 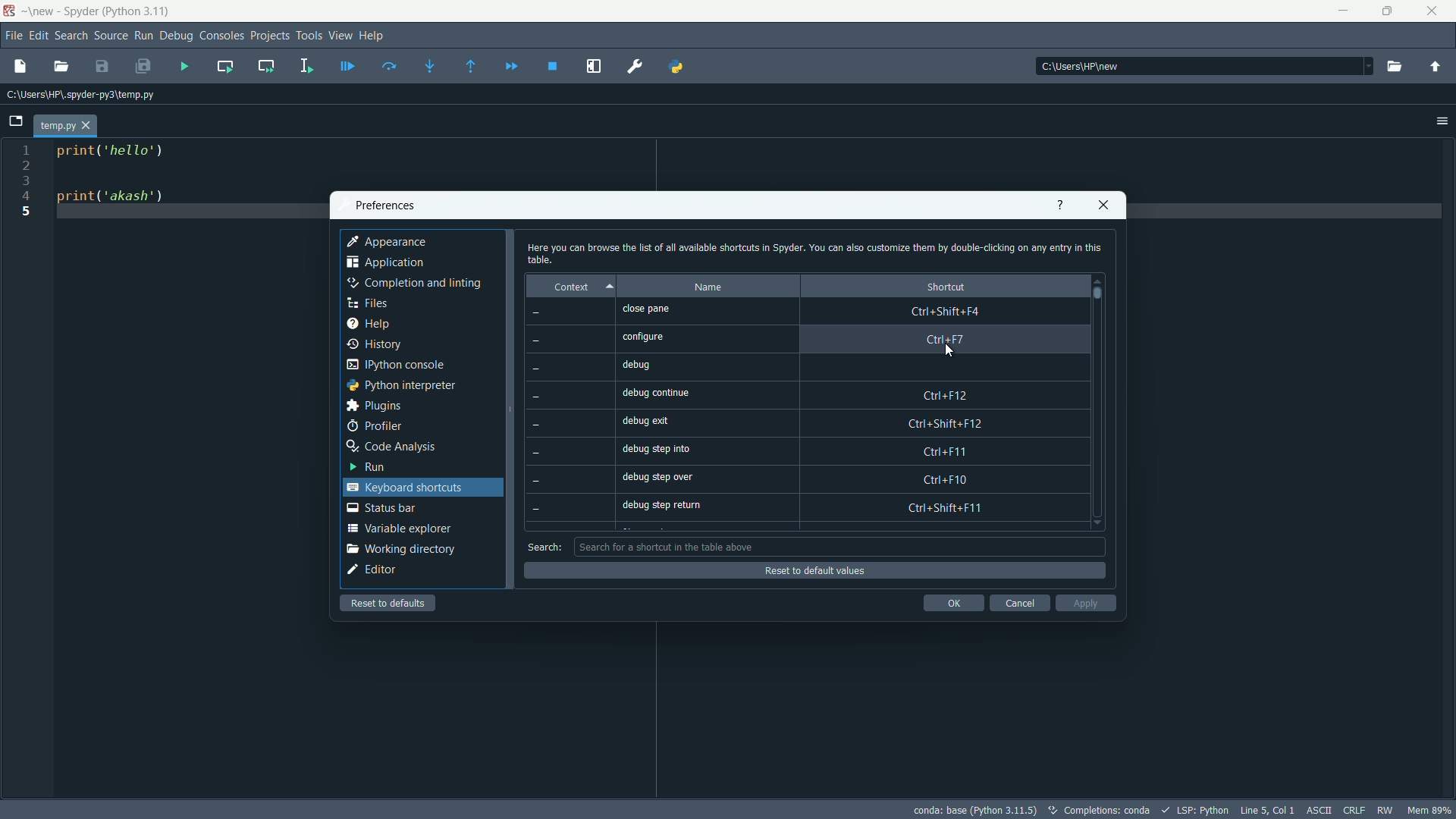 I want to click on ok, so click(x=953, y=603).